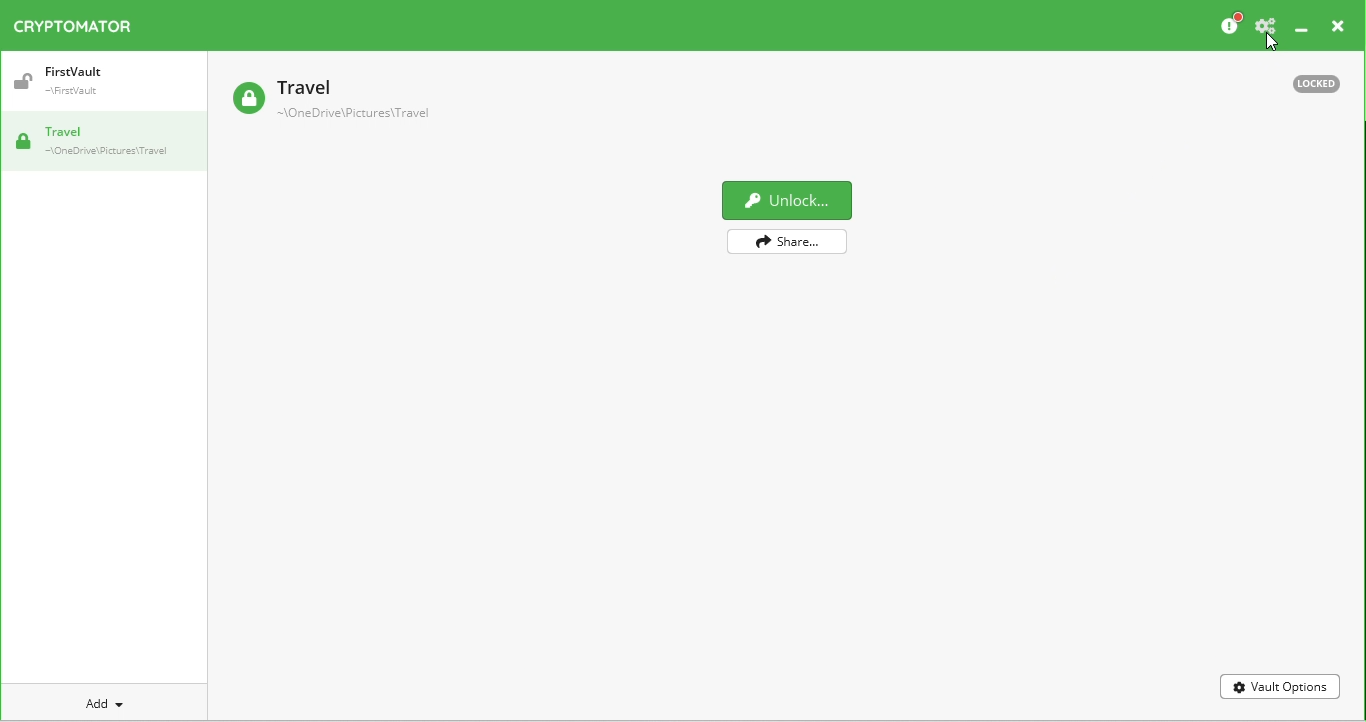 The height and width of the screenshot is (722, 1366). Describe the element at coordinates (93, 702) in the screenshot. I see `Add new vault` at that location.